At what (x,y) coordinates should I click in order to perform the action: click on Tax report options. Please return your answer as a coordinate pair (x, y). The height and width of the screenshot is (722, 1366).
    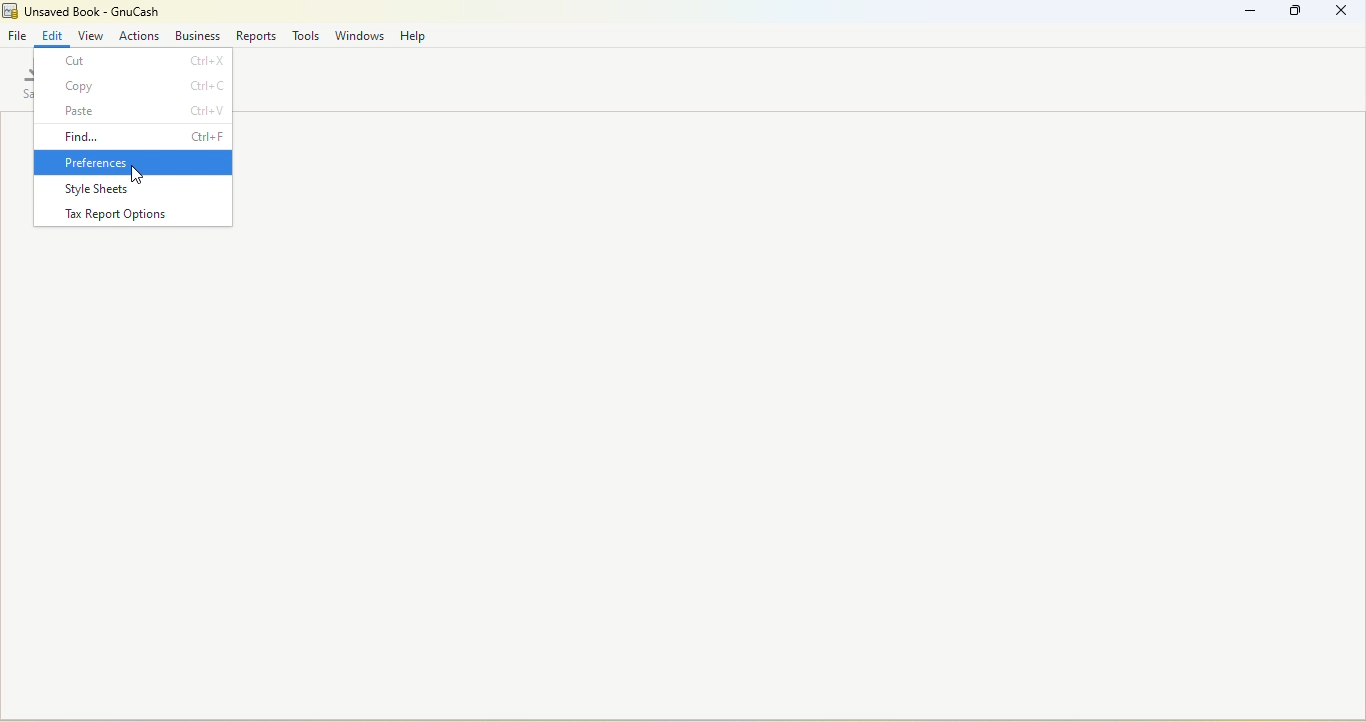
    Looking at the image, I should click on (134, 213).